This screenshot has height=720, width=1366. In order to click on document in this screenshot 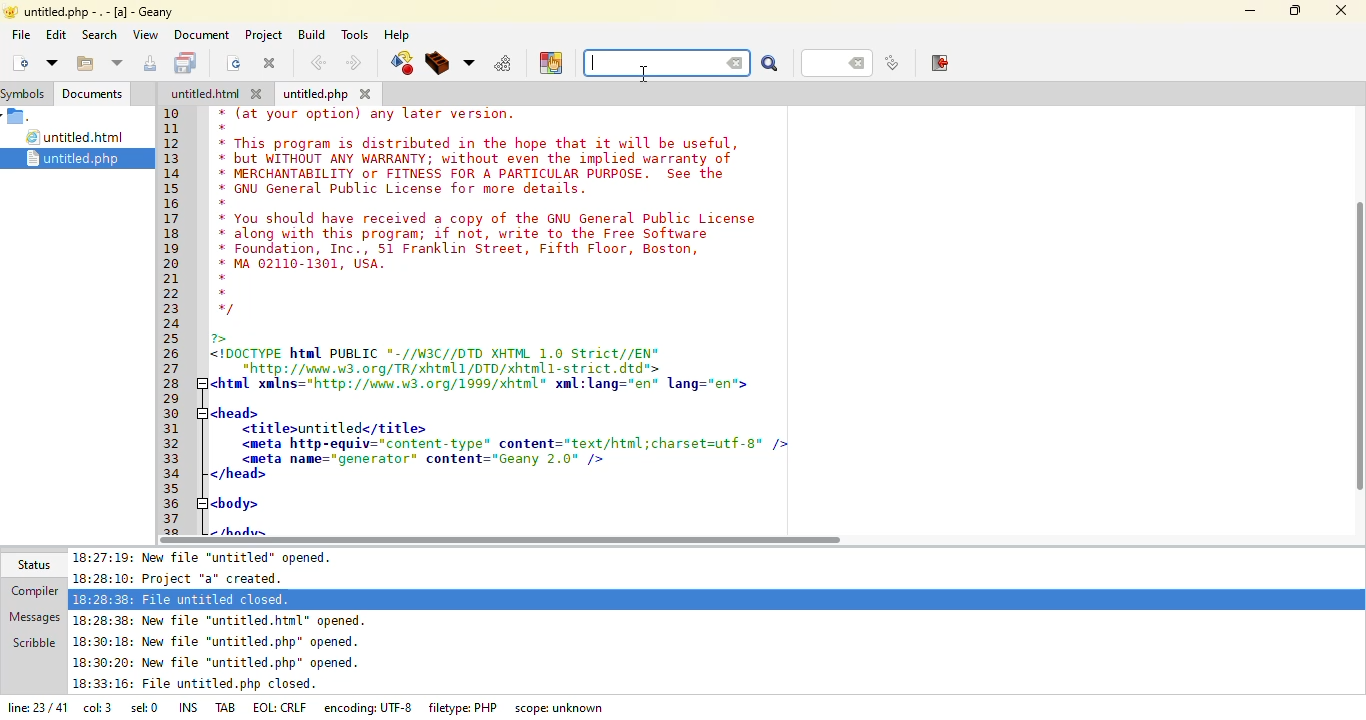, I will do `click(201, 34)`.